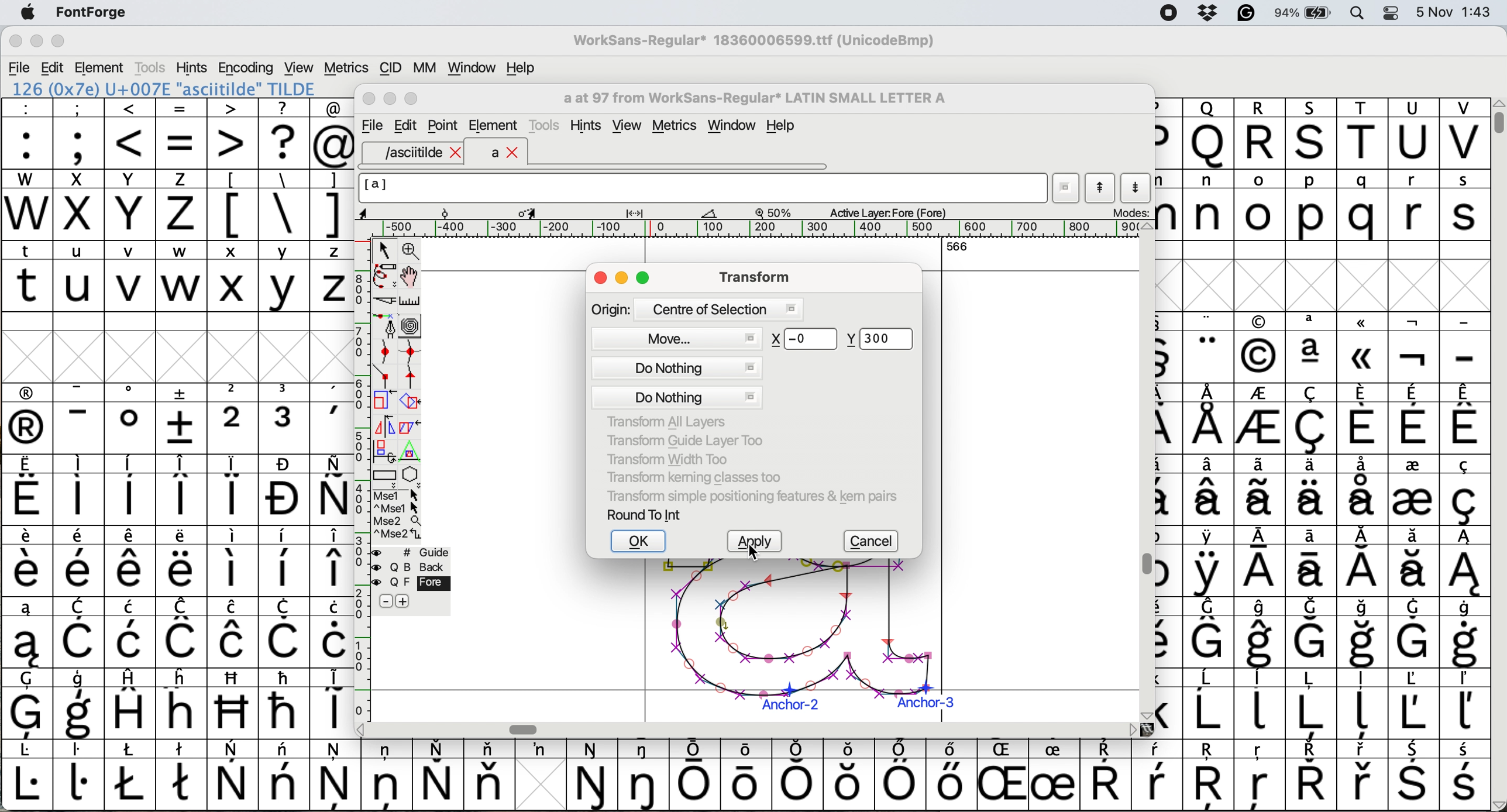 This screenshot has width=1507, height=812. I want to click on draw freehand curve, so click(384, 276).